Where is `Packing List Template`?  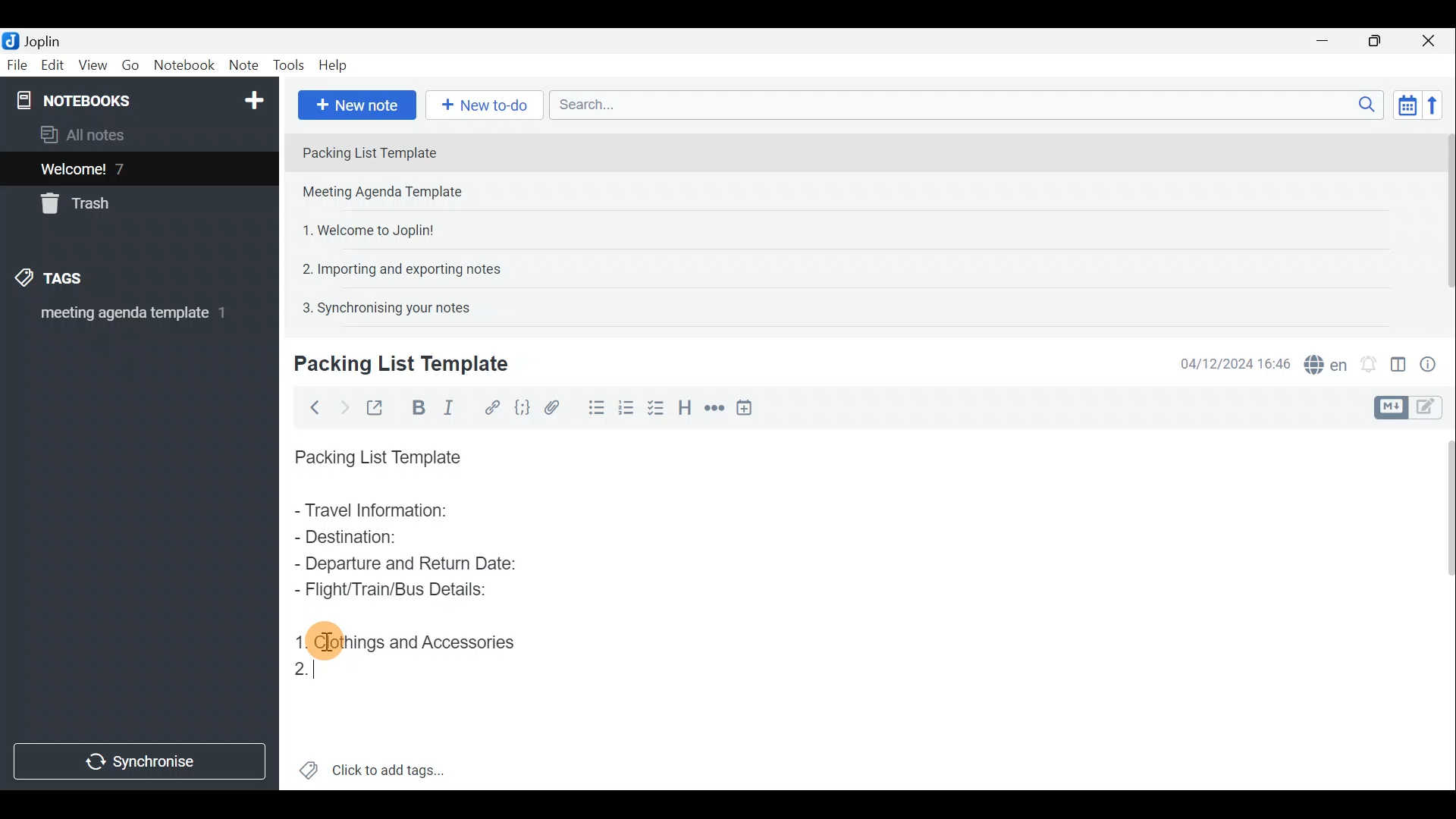
Packing List Template is located at coordinates (375, 453).